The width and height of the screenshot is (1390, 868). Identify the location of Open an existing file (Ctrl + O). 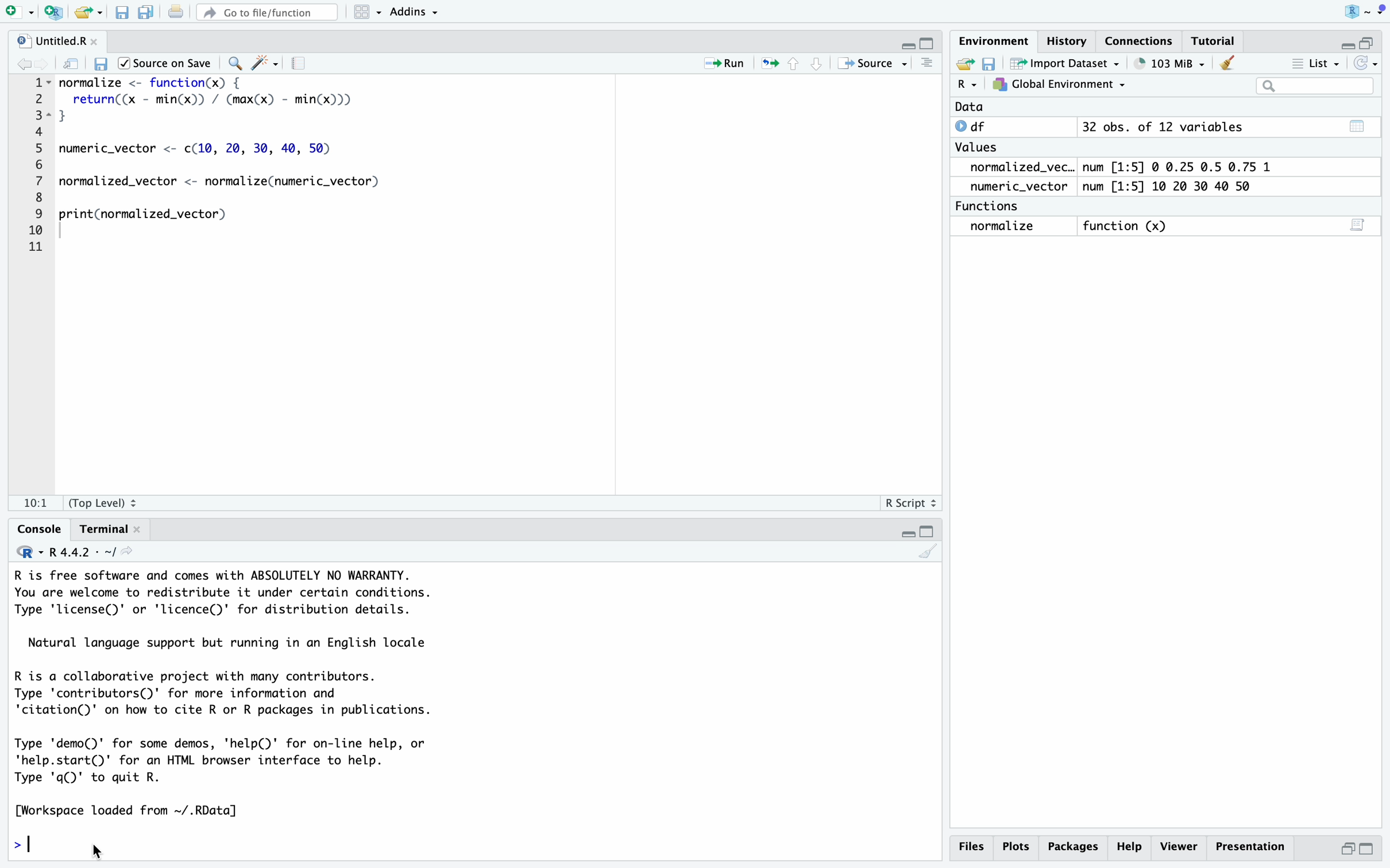
(88, 14).